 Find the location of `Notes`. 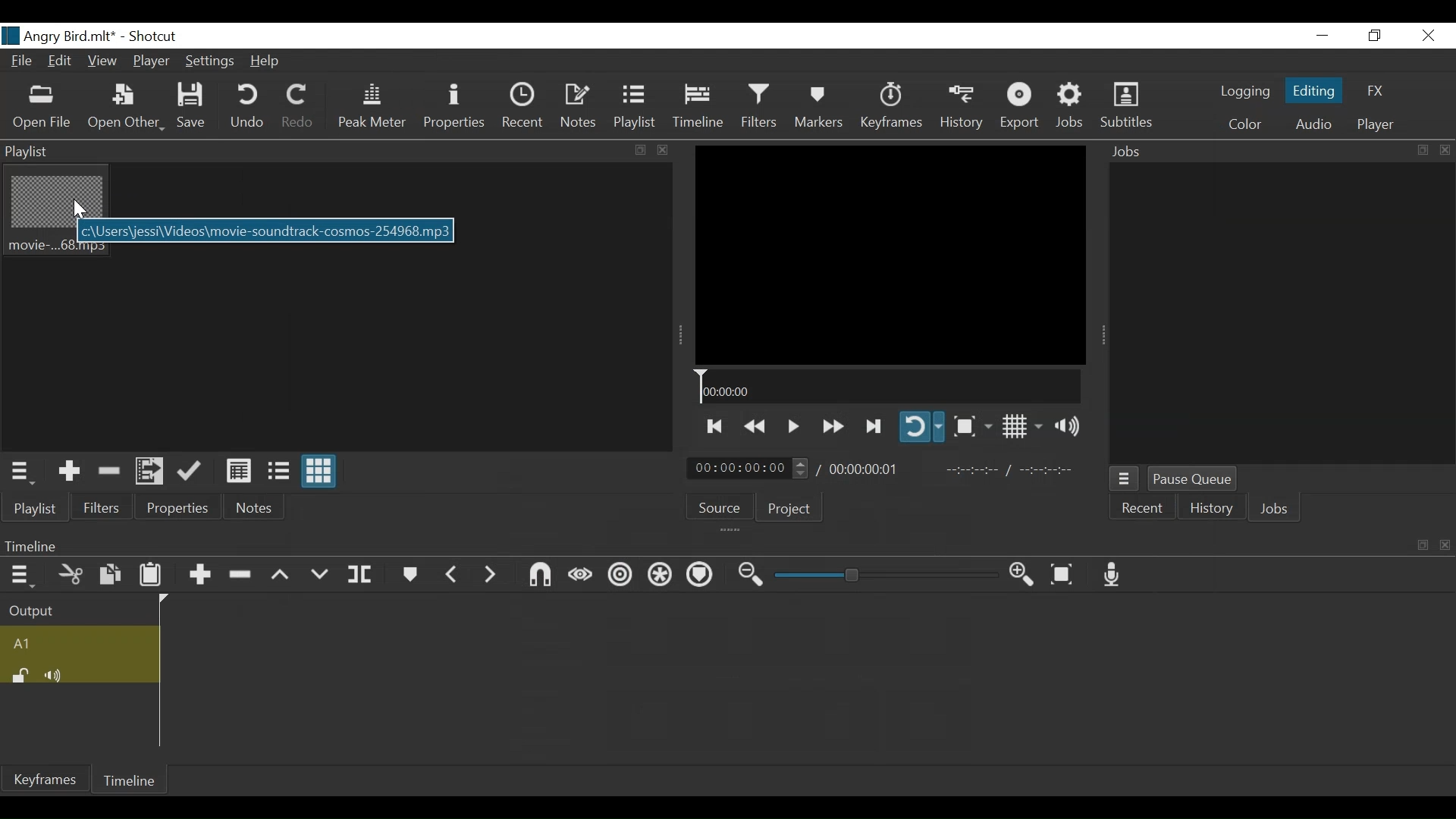

Notes is located at coordinates (580, 106).